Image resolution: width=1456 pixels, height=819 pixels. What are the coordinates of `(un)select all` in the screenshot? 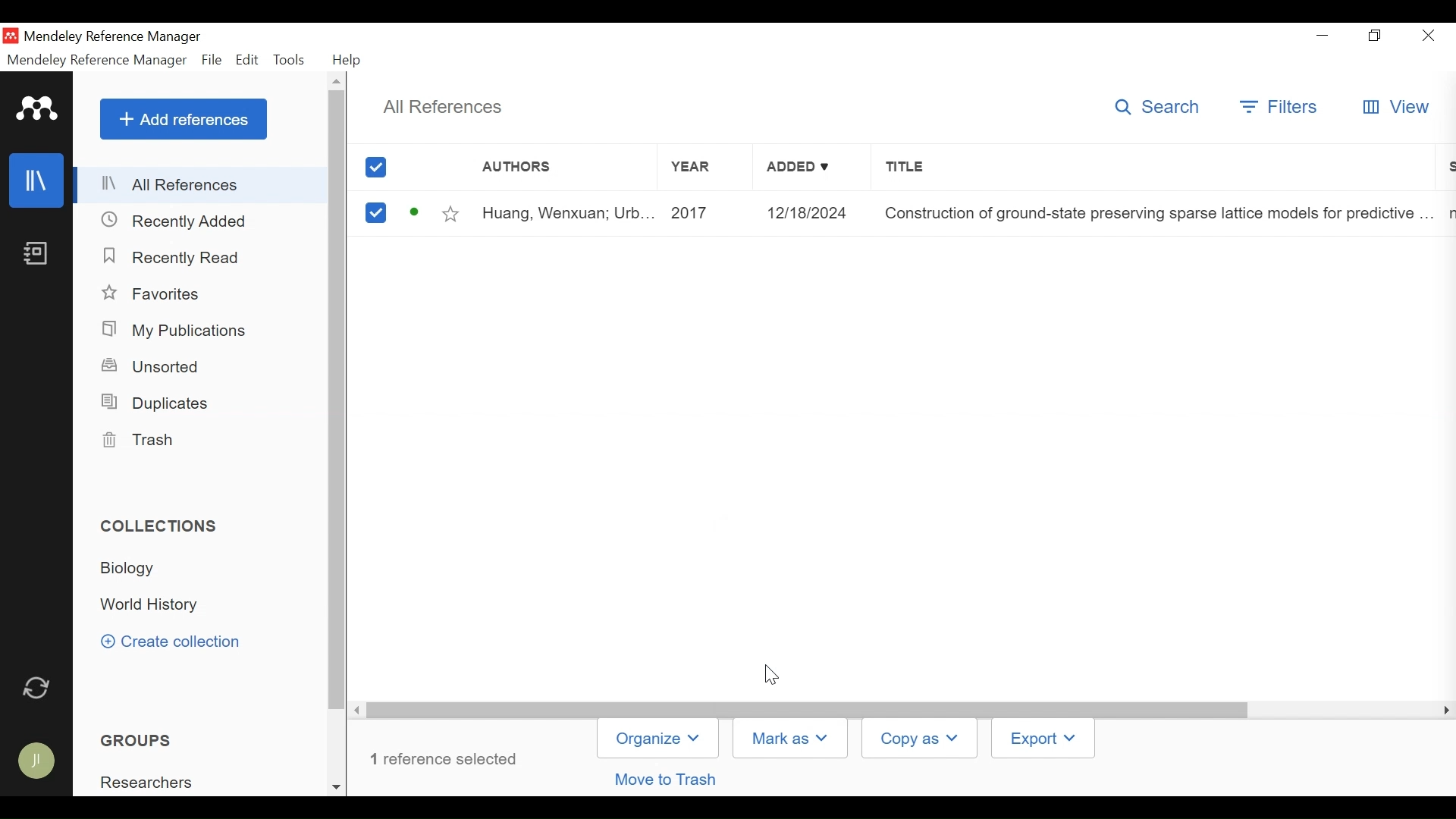 It's located at (375, 168).